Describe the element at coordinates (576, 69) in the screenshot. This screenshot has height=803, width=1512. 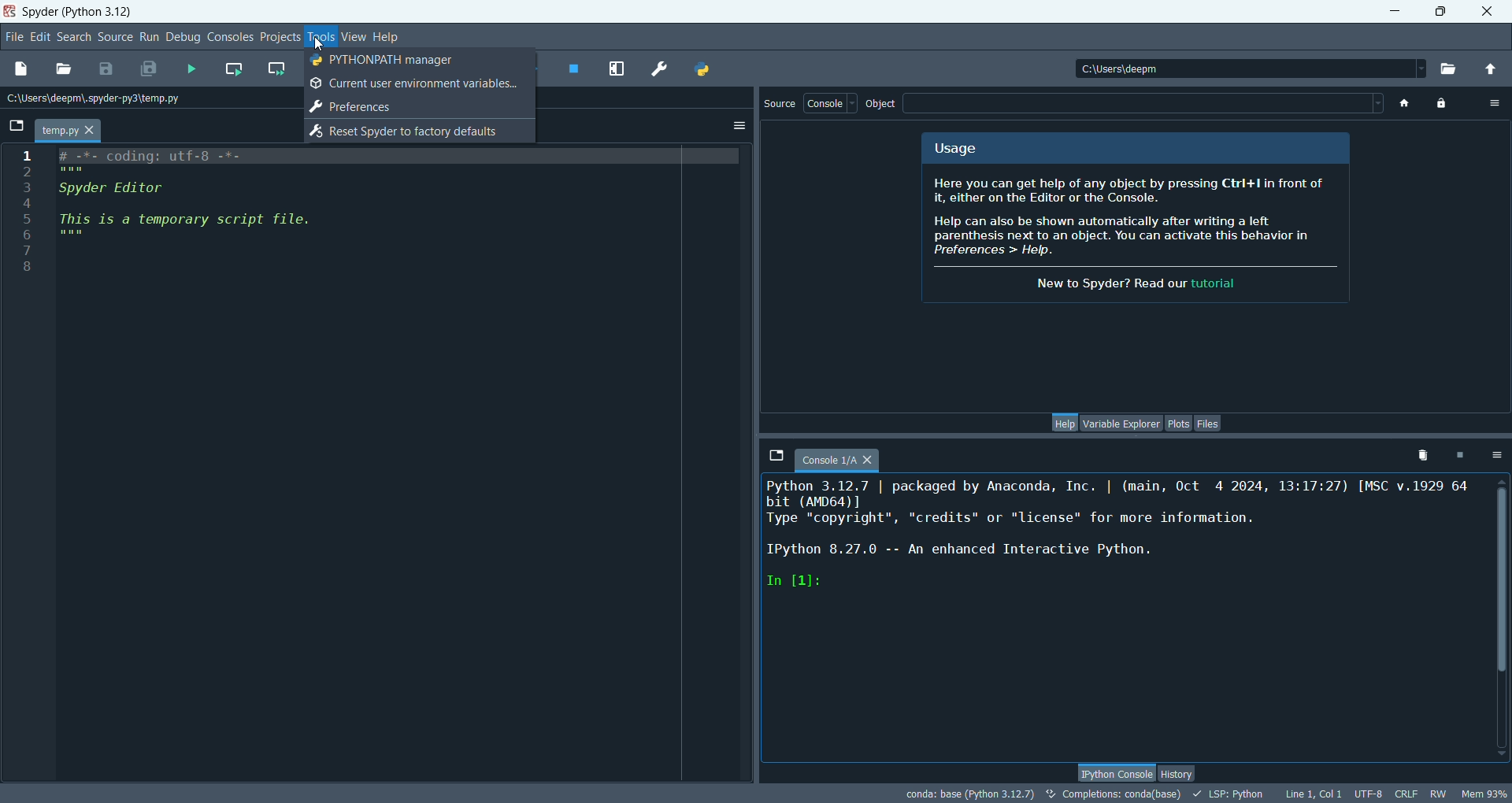
I see `stop debugging` at that location.